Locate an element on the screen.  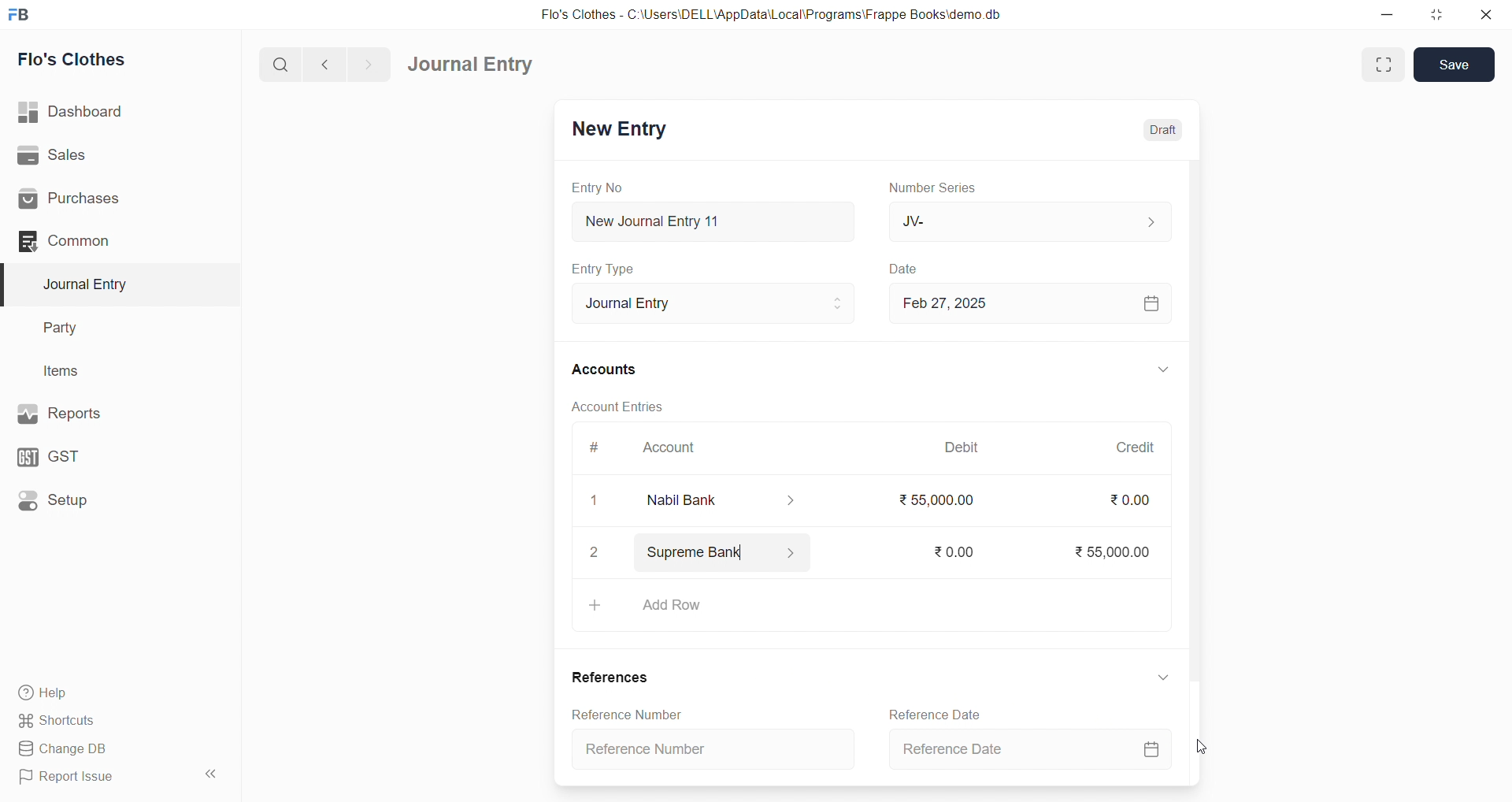
JV- is located at coordinates (1028, 219).